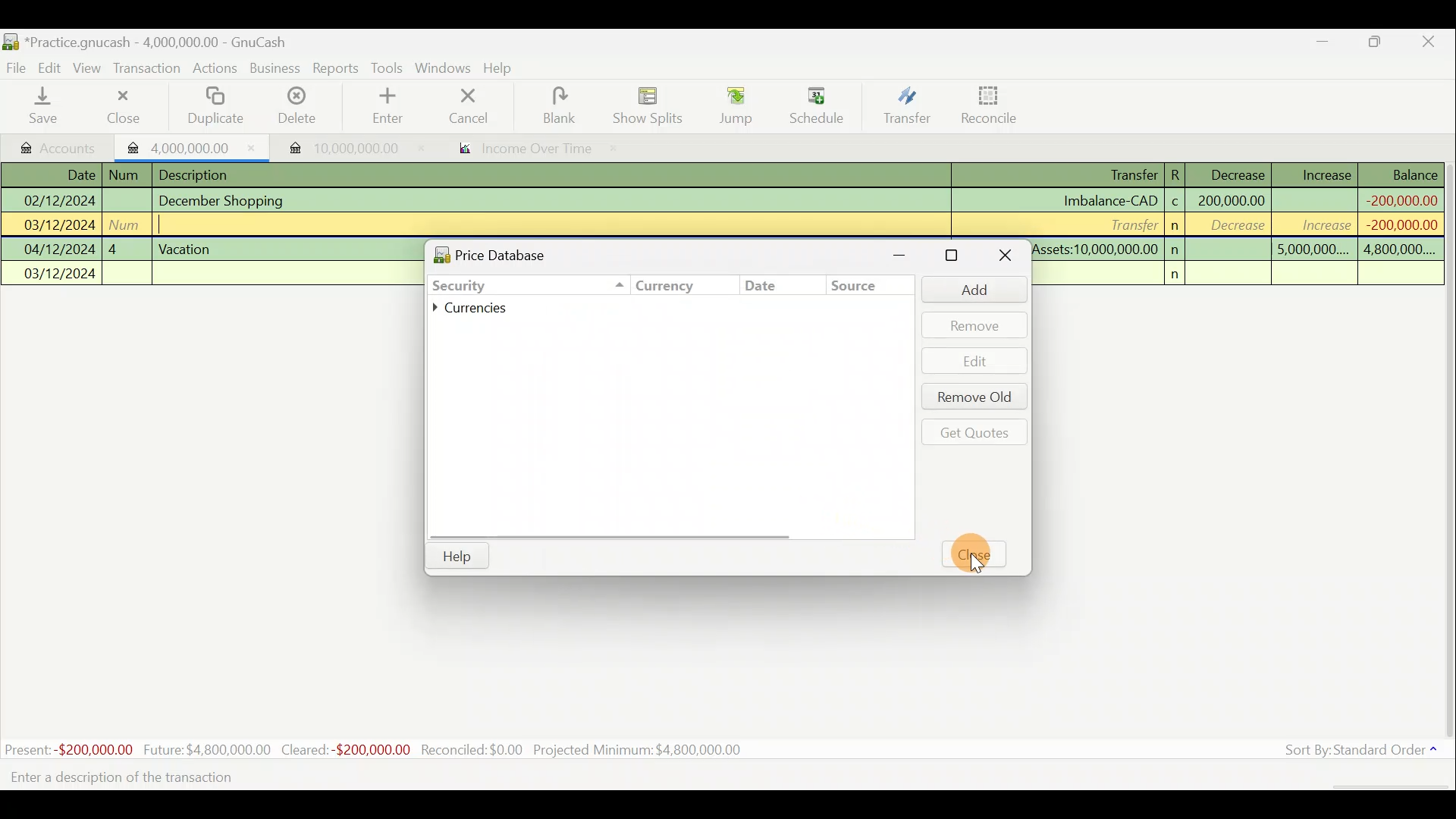 The height and width of the screenshot is (819, 1456). Describe the element at coordinates (649, 105) in the screenshot. I see `Show splits` at that location.